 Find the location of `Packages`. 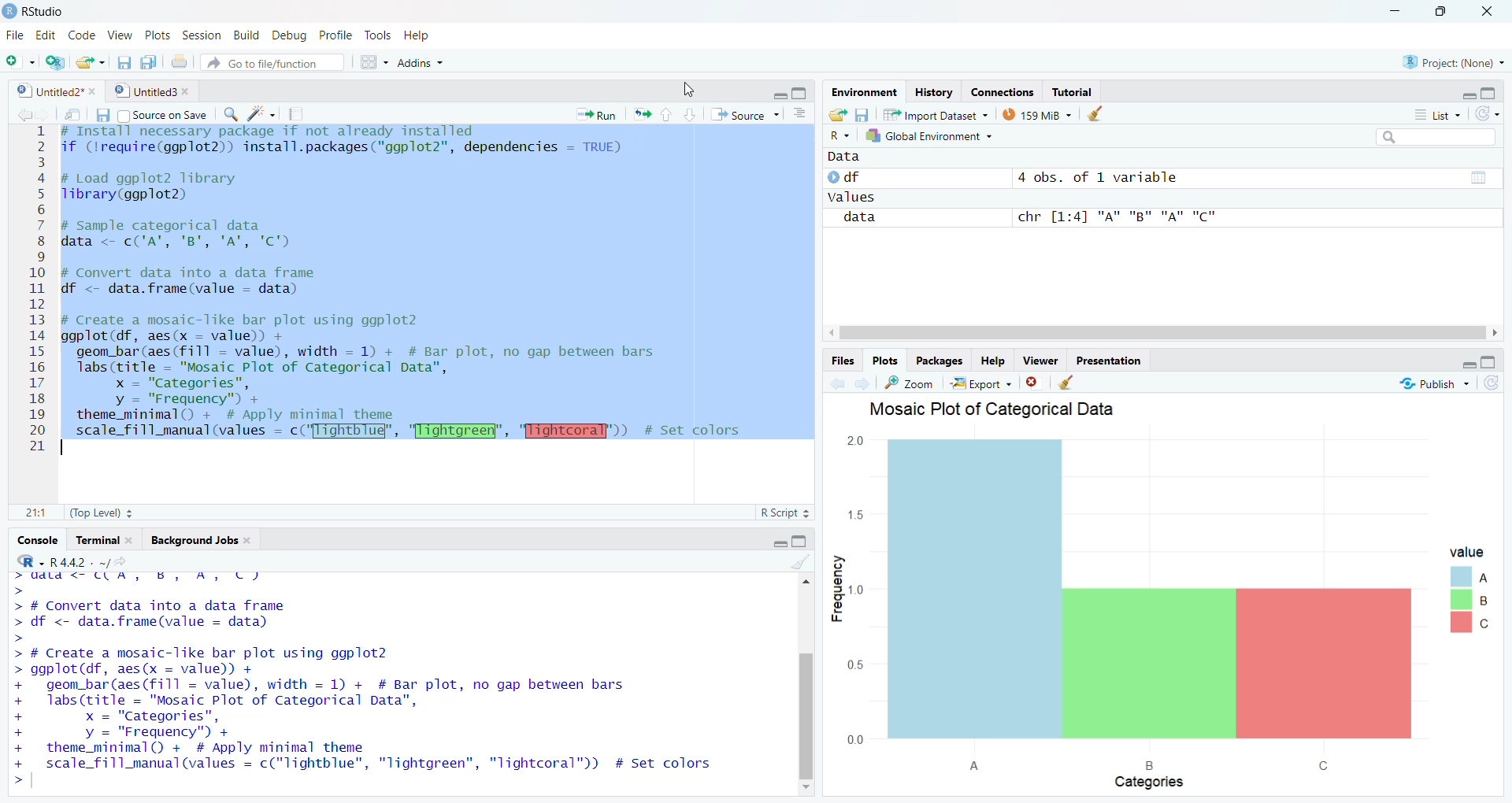

Packages is located at coordinates (939, 361).